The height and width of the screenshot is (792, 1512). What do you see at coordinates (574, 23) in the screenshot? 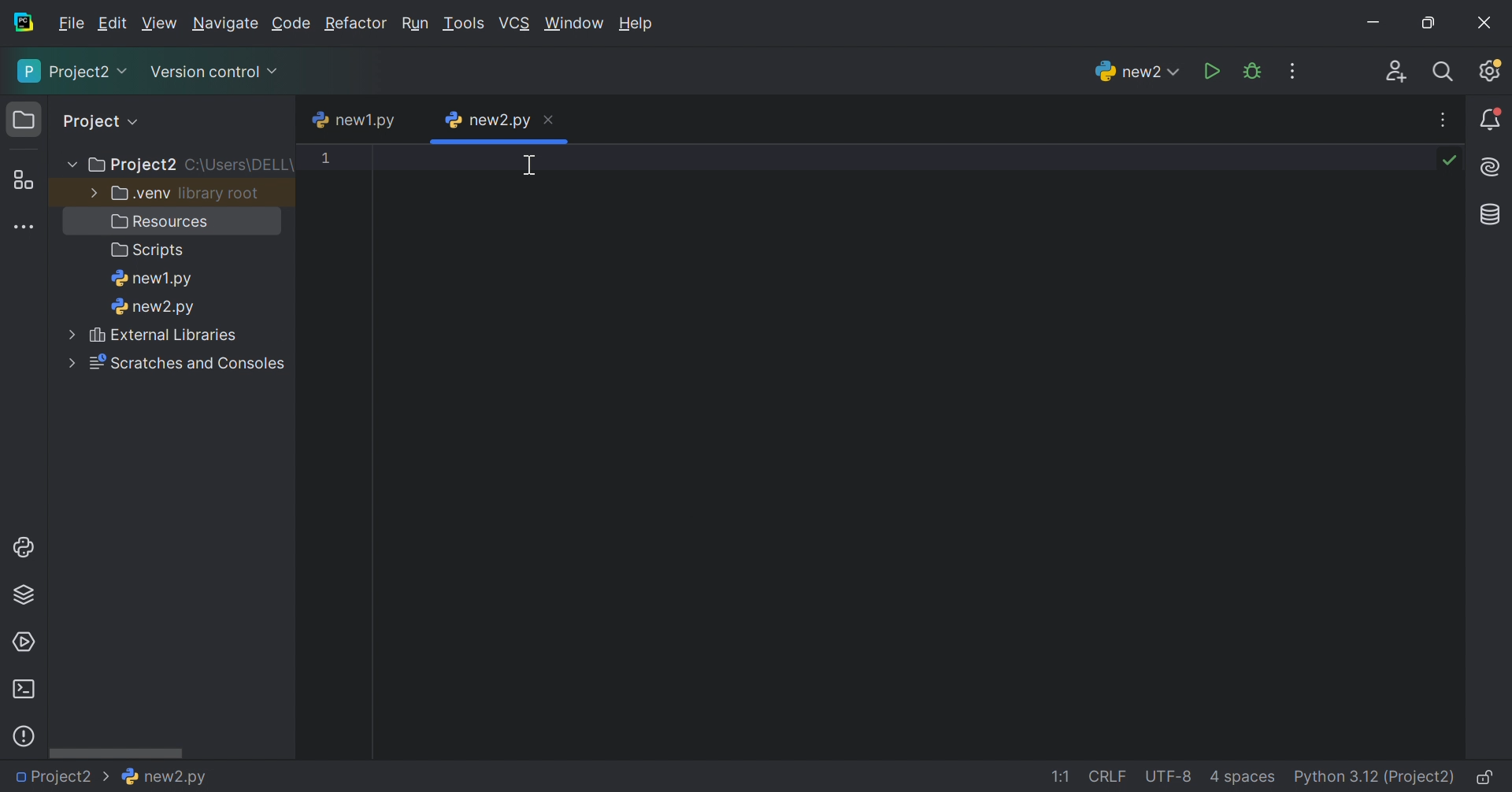
I see `Window` at bounding box center [574, 23].